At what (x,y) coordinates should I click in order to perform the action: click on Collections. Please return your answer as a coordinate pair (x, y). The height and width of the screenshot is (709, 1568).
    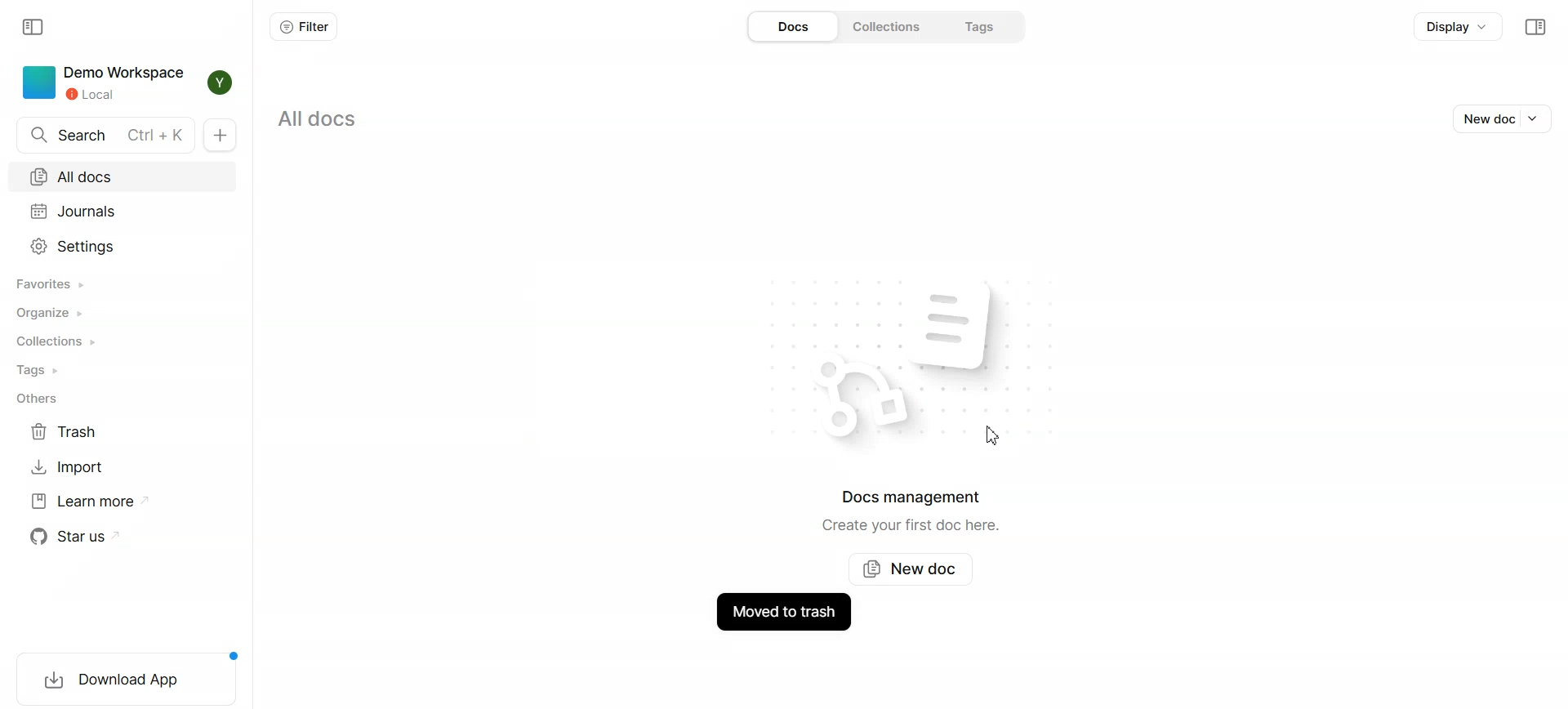
    Looking at the image, I should click on (122, 342).